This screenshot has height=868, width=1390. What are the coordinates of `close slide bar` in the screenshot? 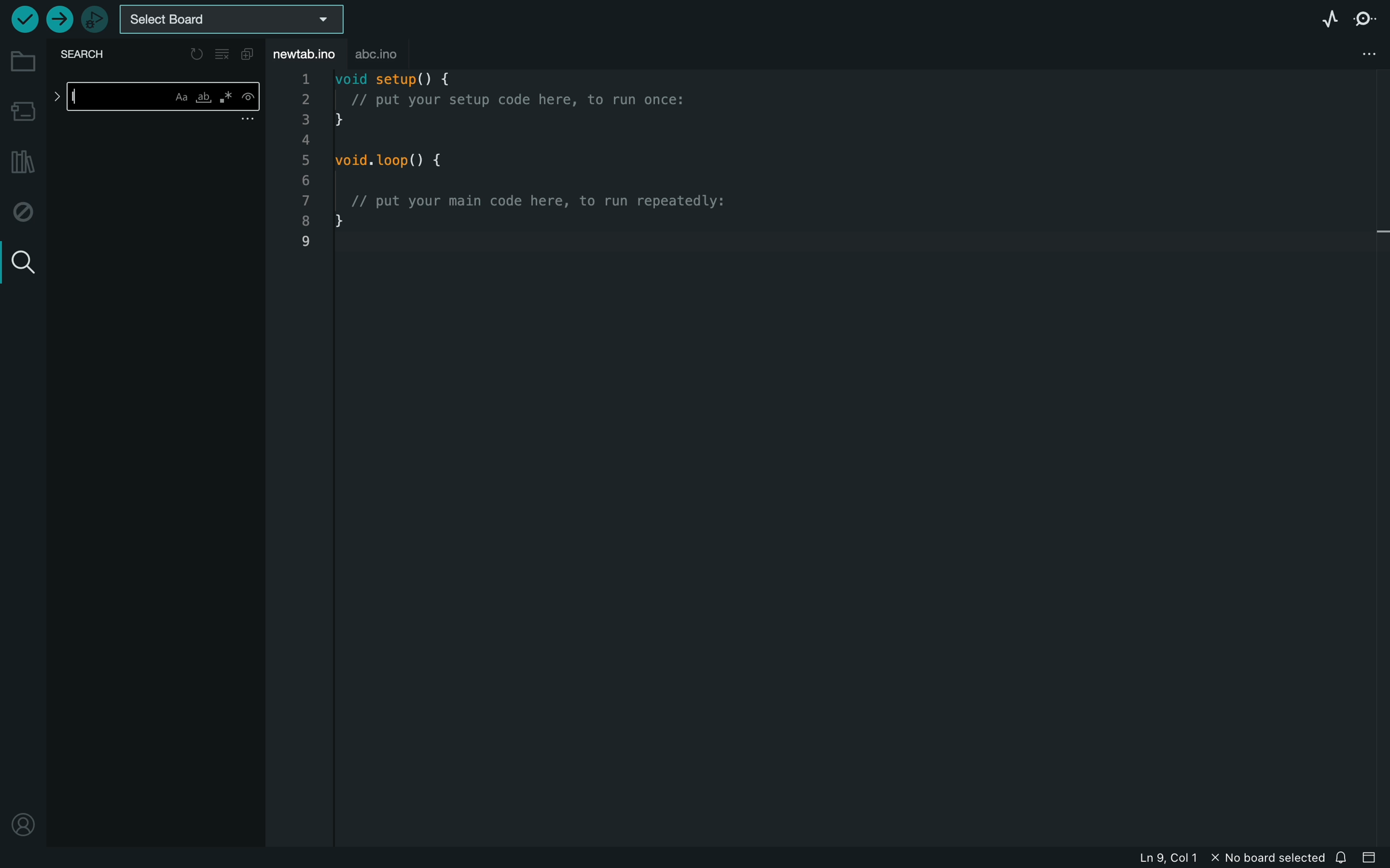 It's located at (1372, 858).